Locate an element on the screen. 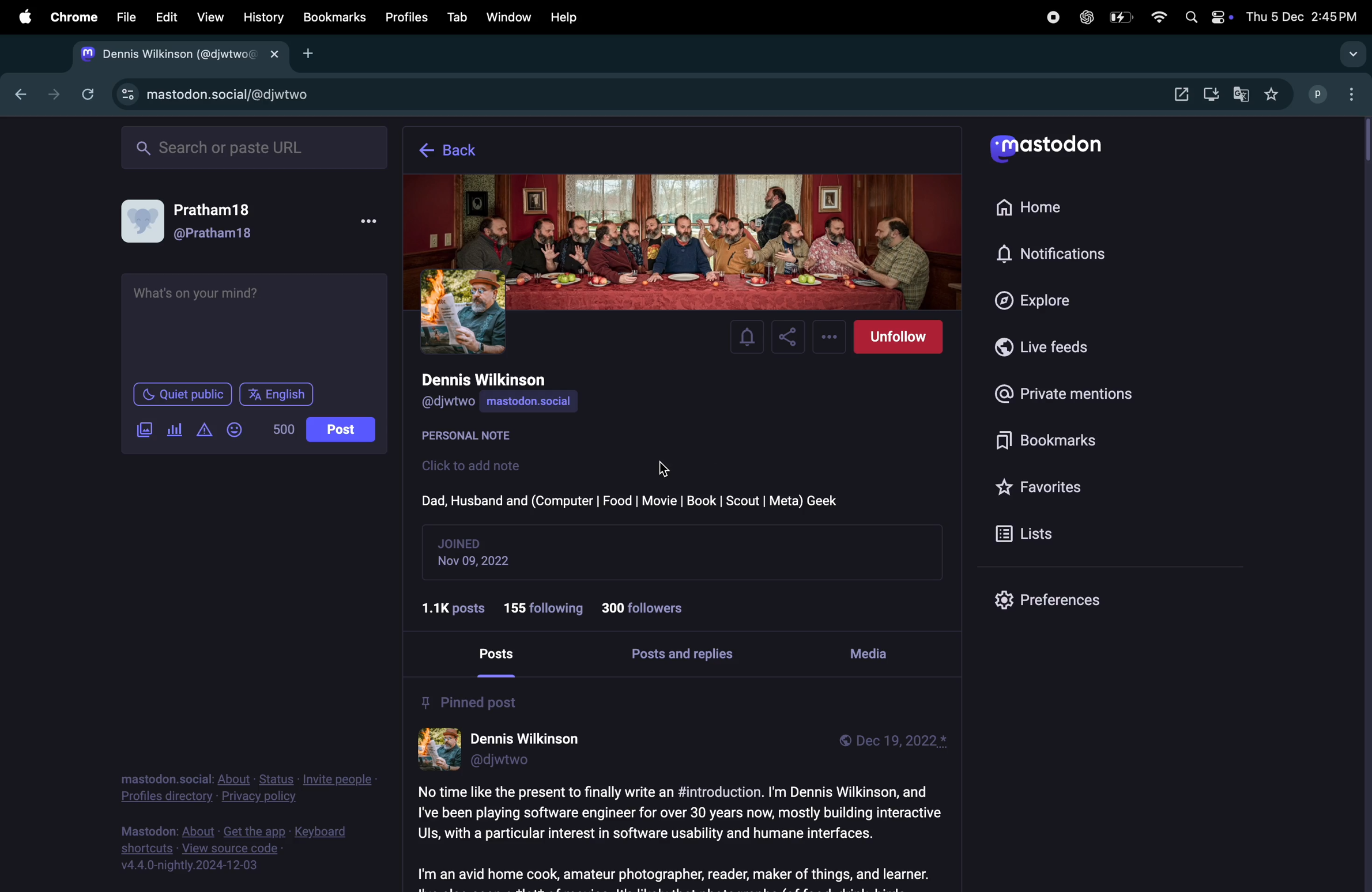 The width and height of the screenshot is (1372, 892). poll is located at coordinates (174, 428).